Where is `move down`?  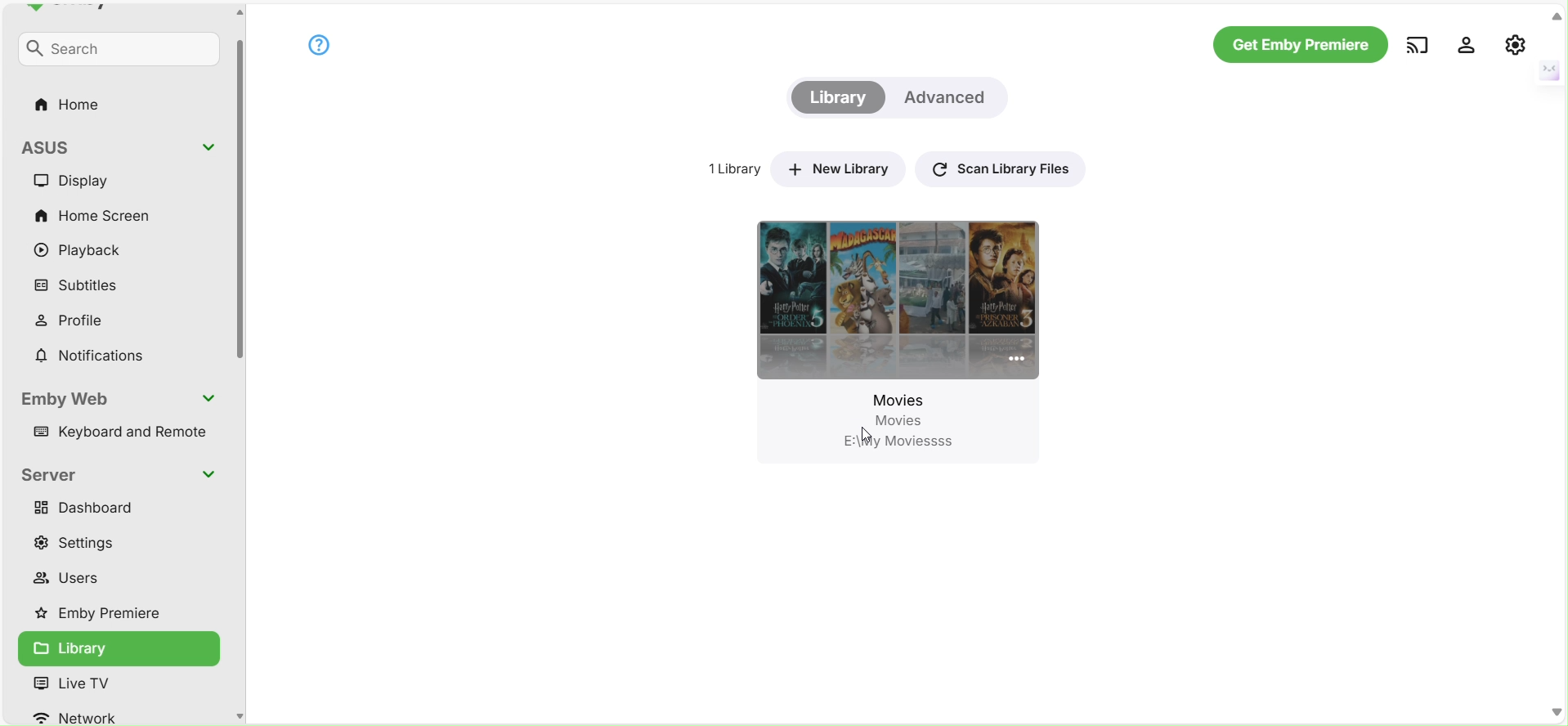
move down is located at coordinates (239, 715).